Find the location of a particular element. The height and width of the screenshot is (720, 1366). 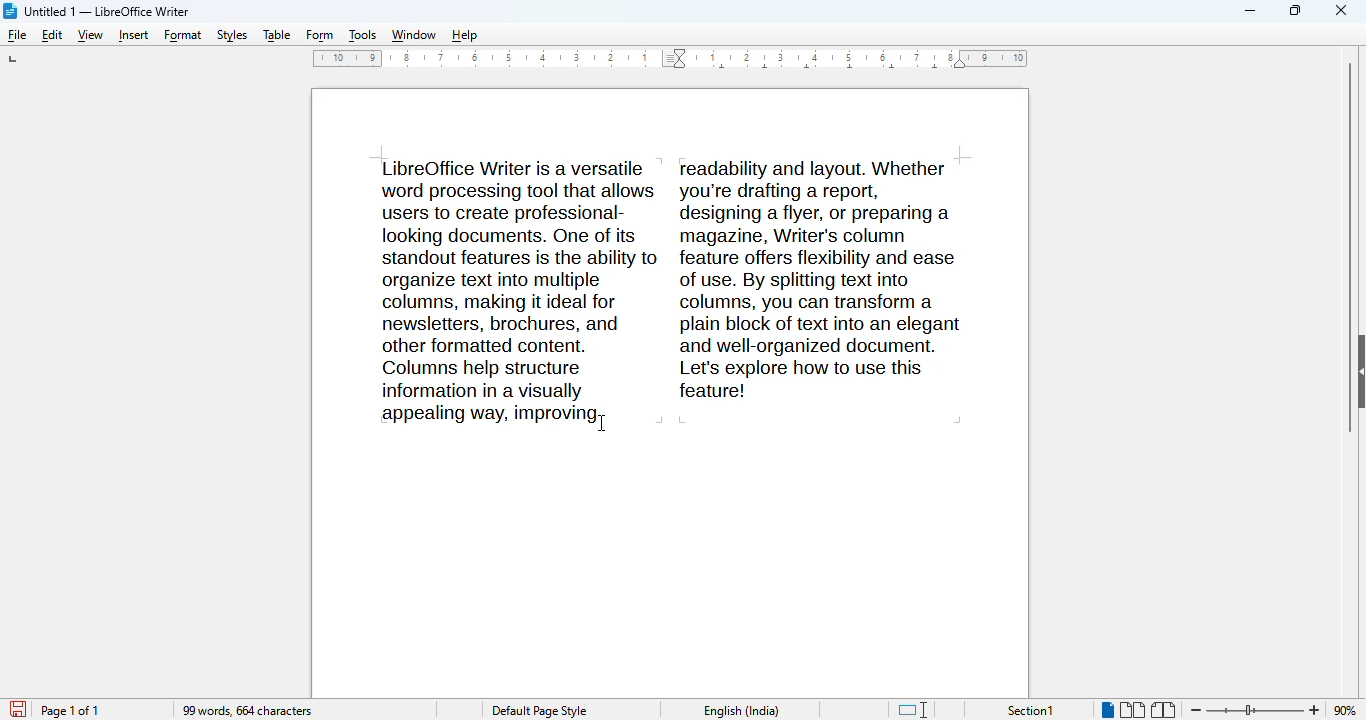

styles is located at coordinates (233, 36).